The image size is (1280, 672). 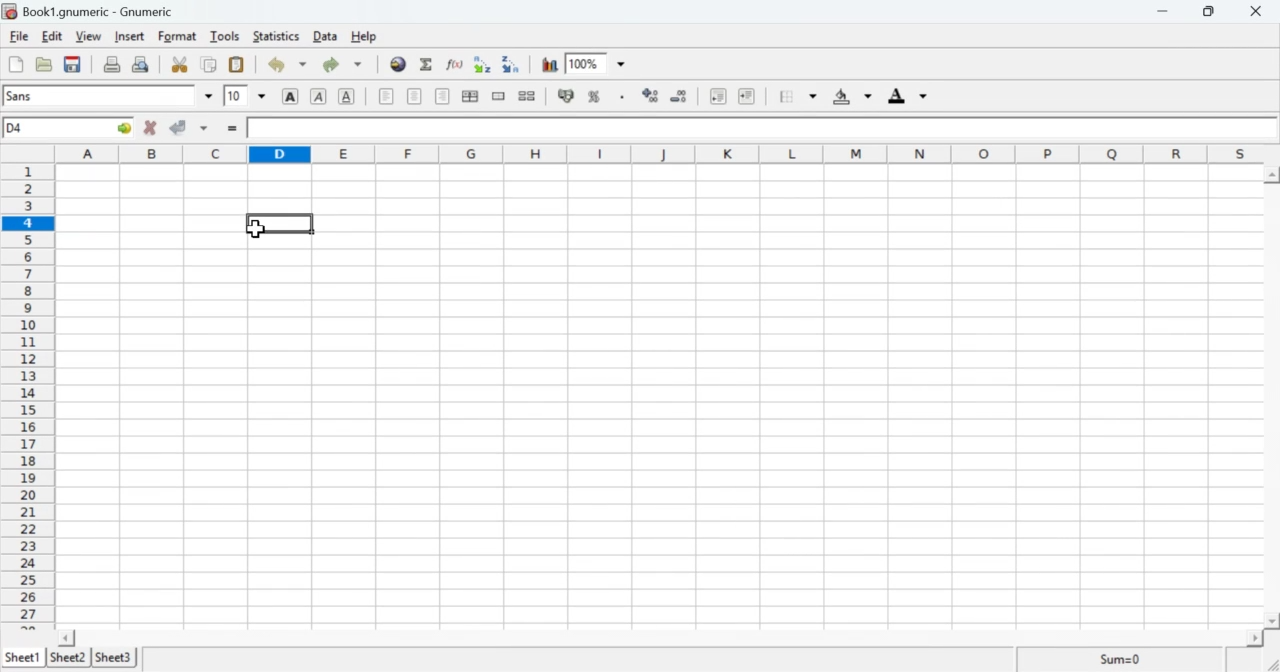 What do you see at coordinates (1260, 11) in the screenshot?
I see `close` at bounding box center [1260, 11].